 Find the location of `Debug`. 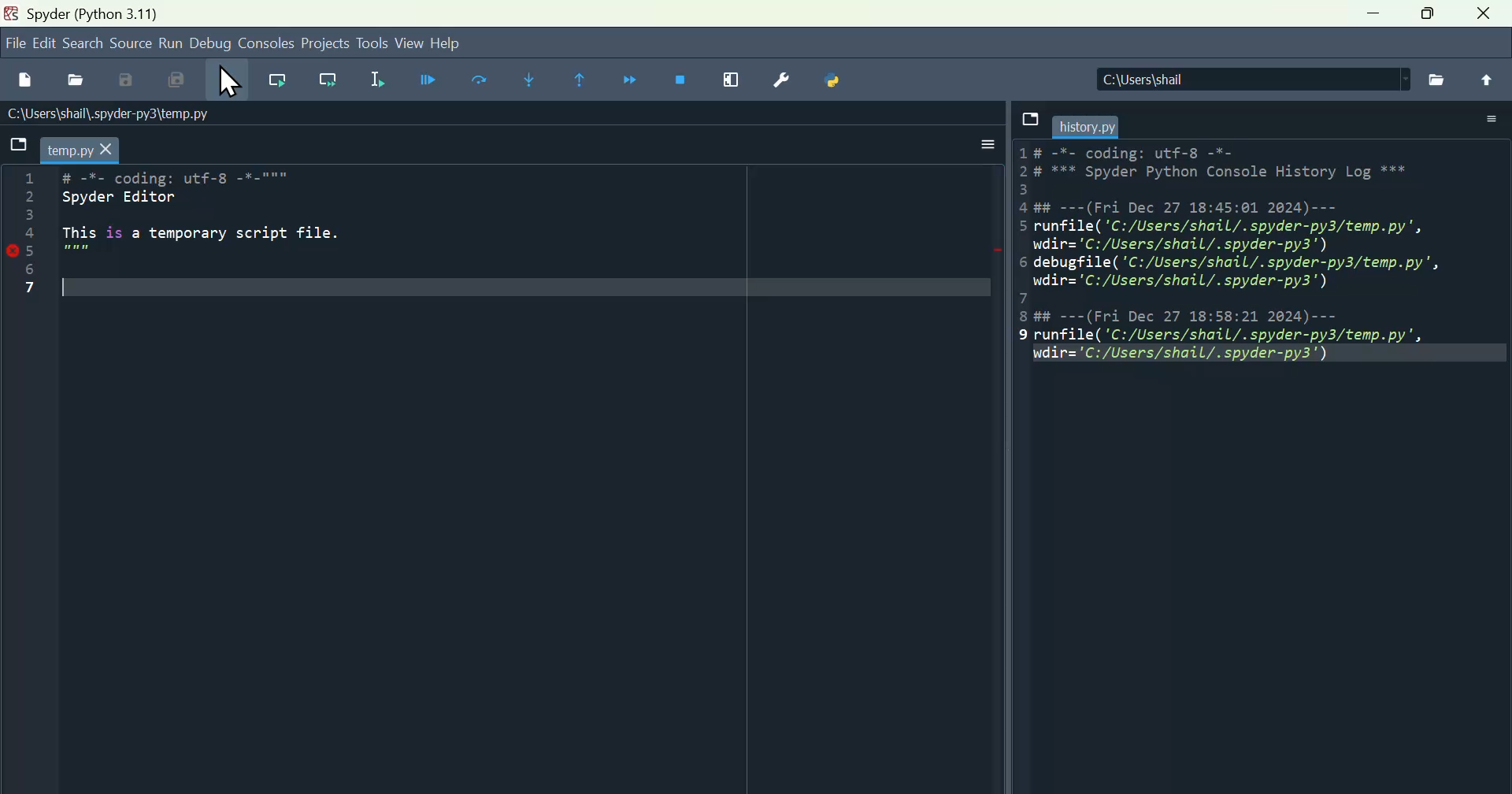

Debug is located at coordinates (211, 46).